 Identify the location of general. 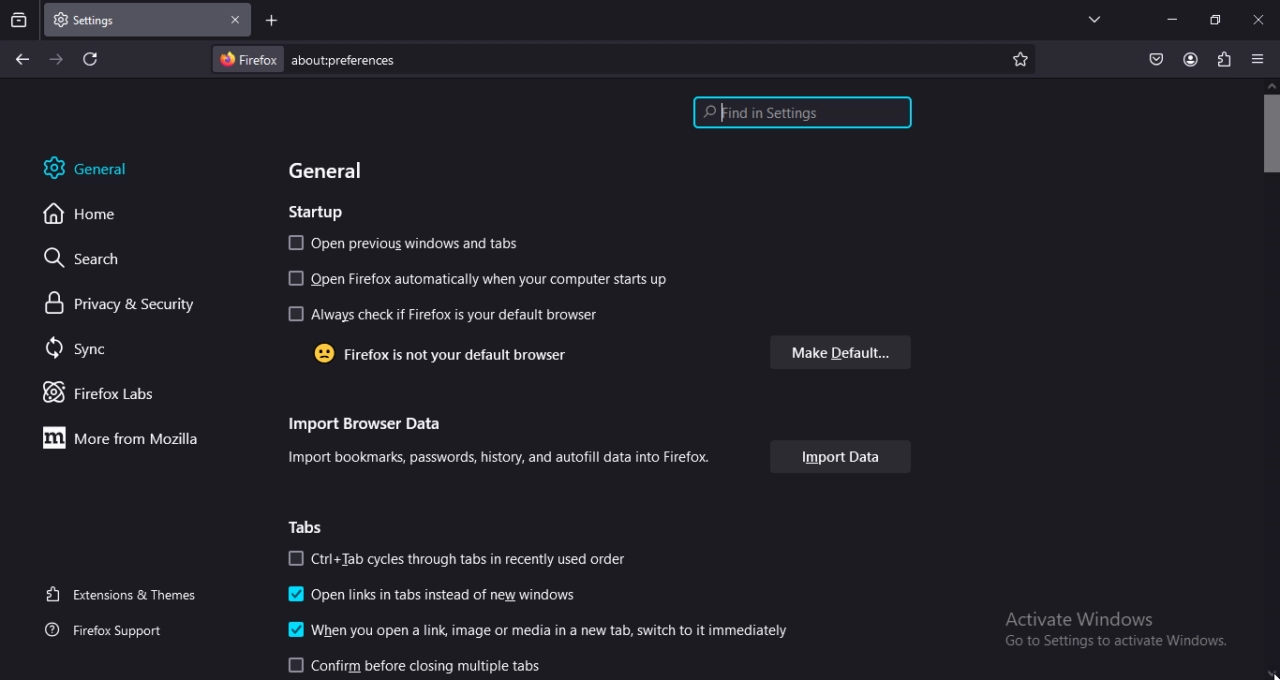
(96, 167).